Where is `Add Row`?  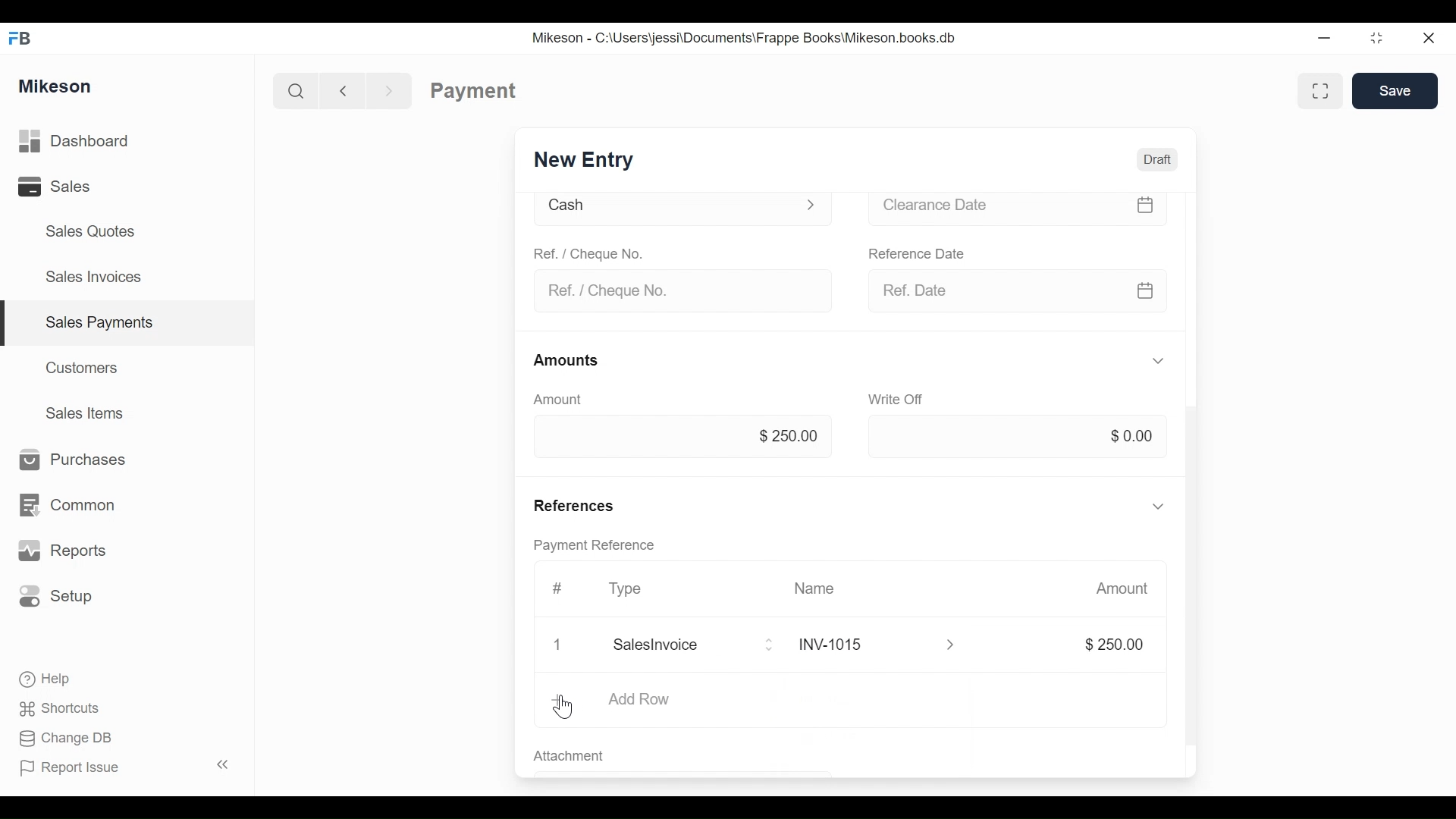
Add Row is located at coordinates (637, 701).